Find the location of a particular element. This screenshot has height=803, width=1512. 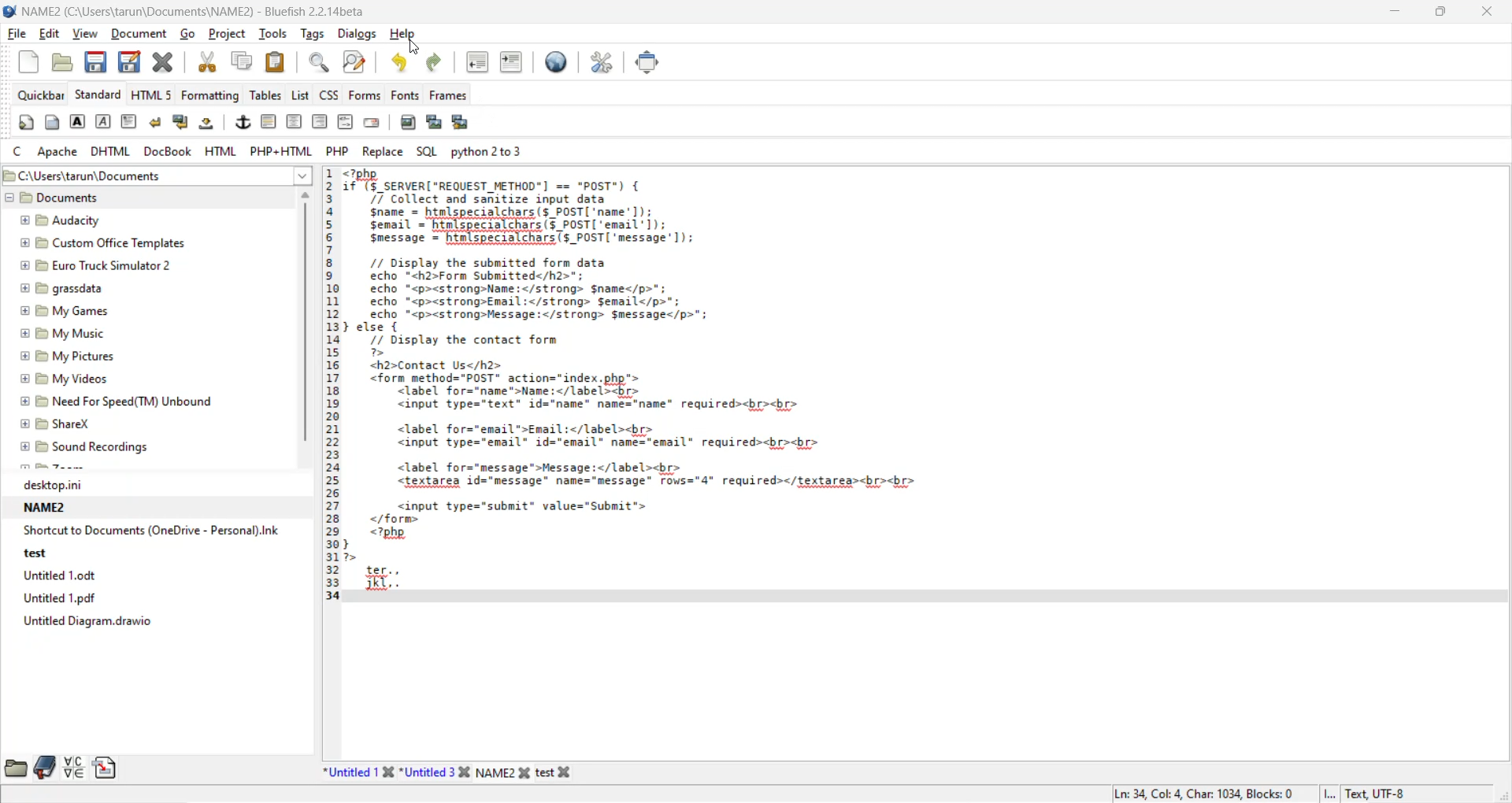

tables is located at coordinates (265, 94).